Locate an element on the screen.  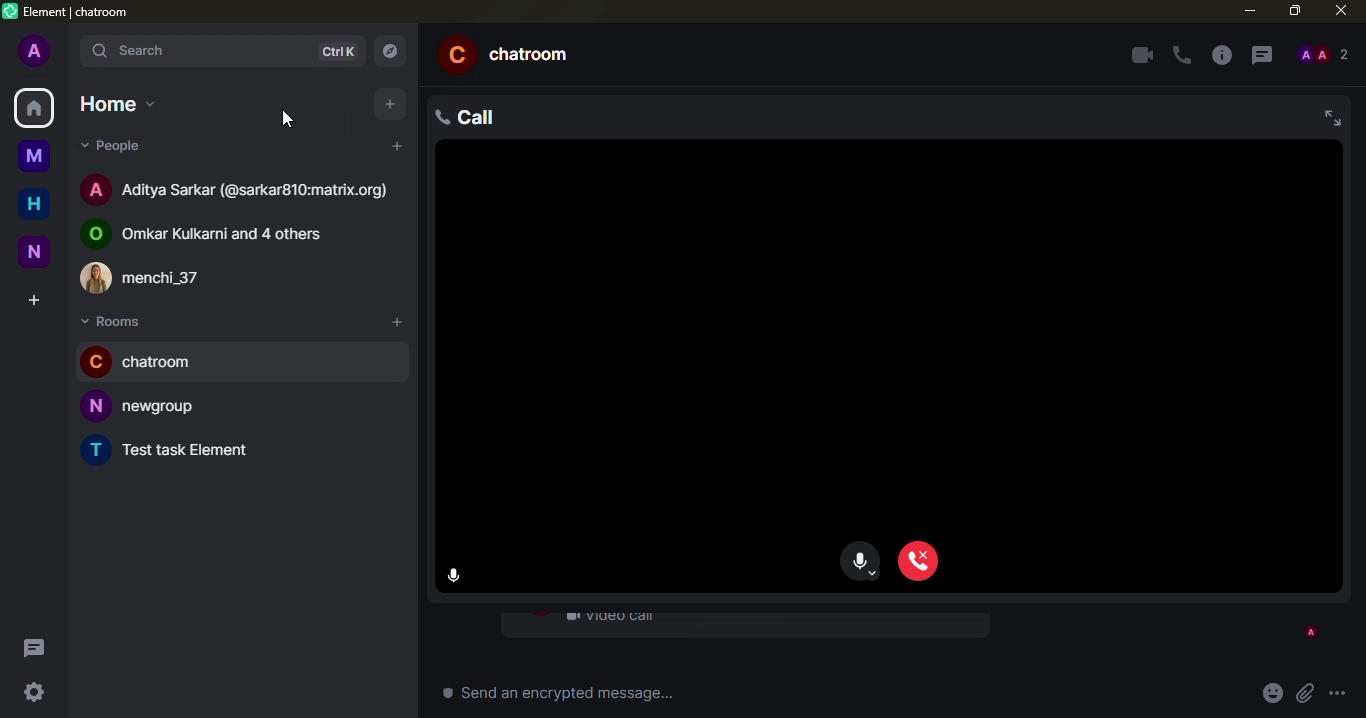
collapse is located at coordinates (1329, 116).